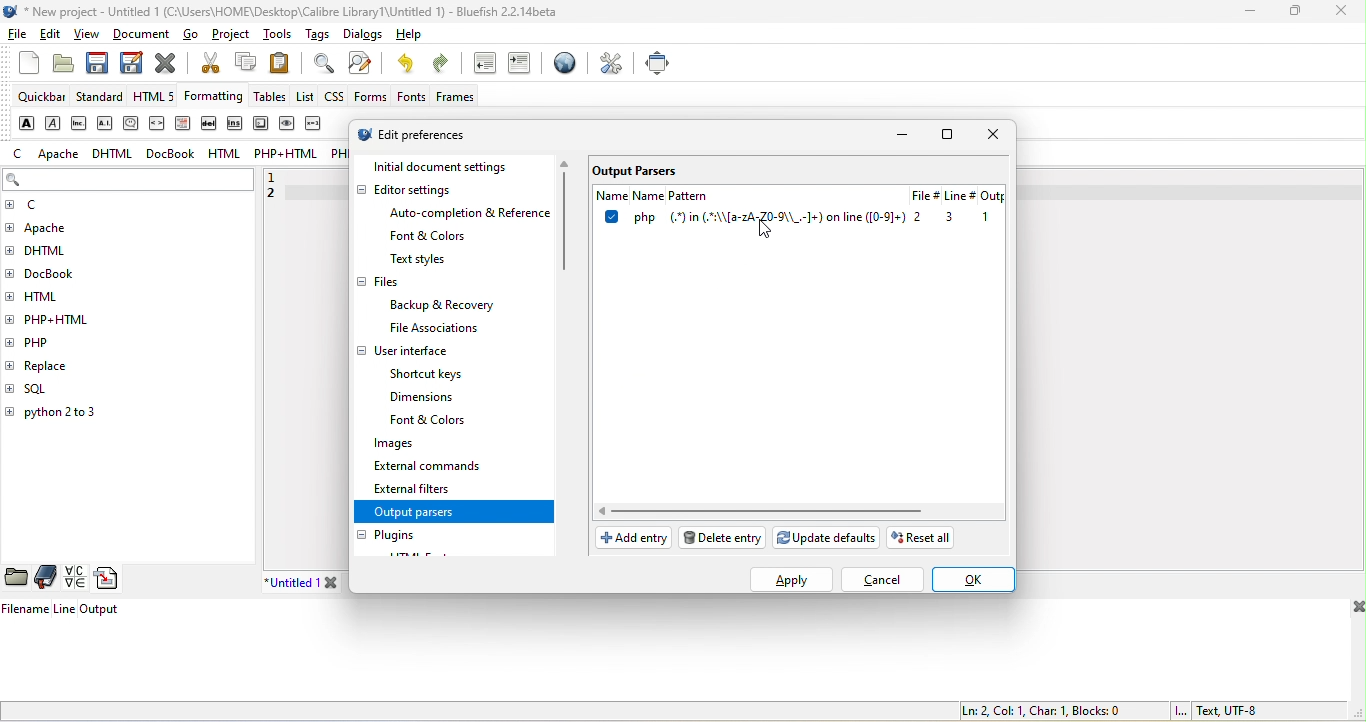 The image size is (1366, 722). I want to click on add entry, so click(632, 540).